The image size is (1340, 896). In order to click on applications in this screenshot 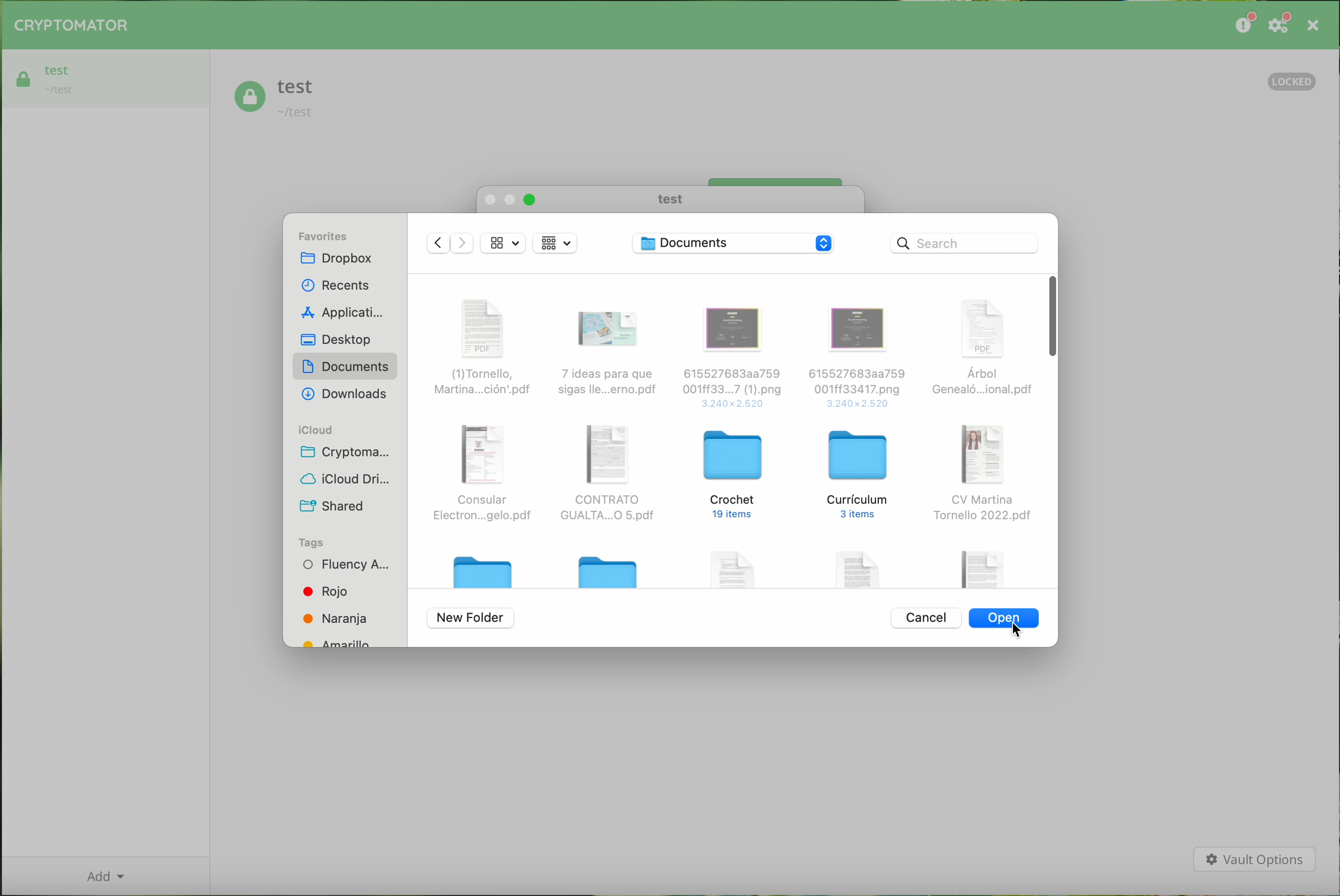, I will do `click(339, 313)`.